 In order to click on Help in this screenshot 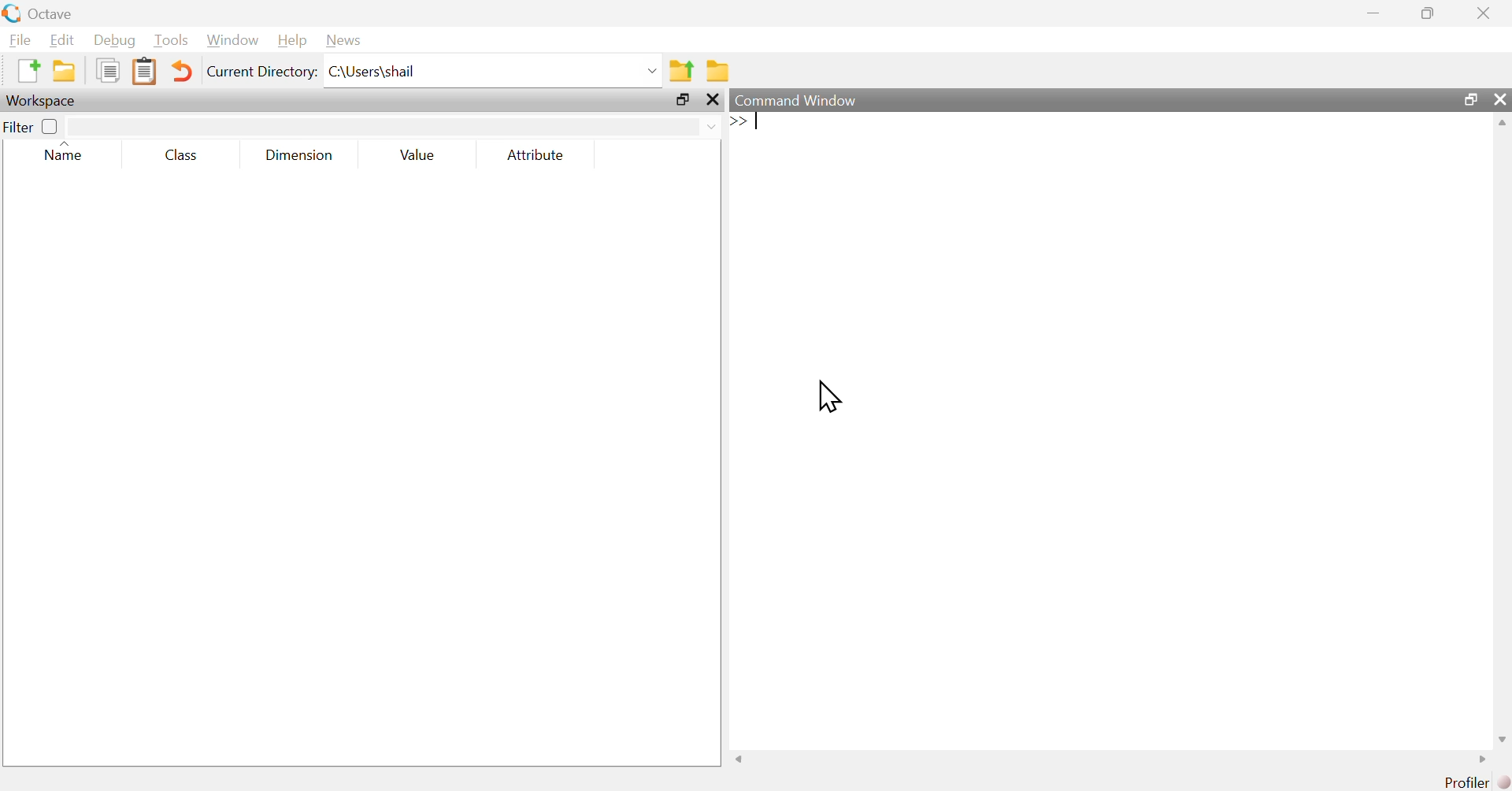, I will do `click(290, 41)`.